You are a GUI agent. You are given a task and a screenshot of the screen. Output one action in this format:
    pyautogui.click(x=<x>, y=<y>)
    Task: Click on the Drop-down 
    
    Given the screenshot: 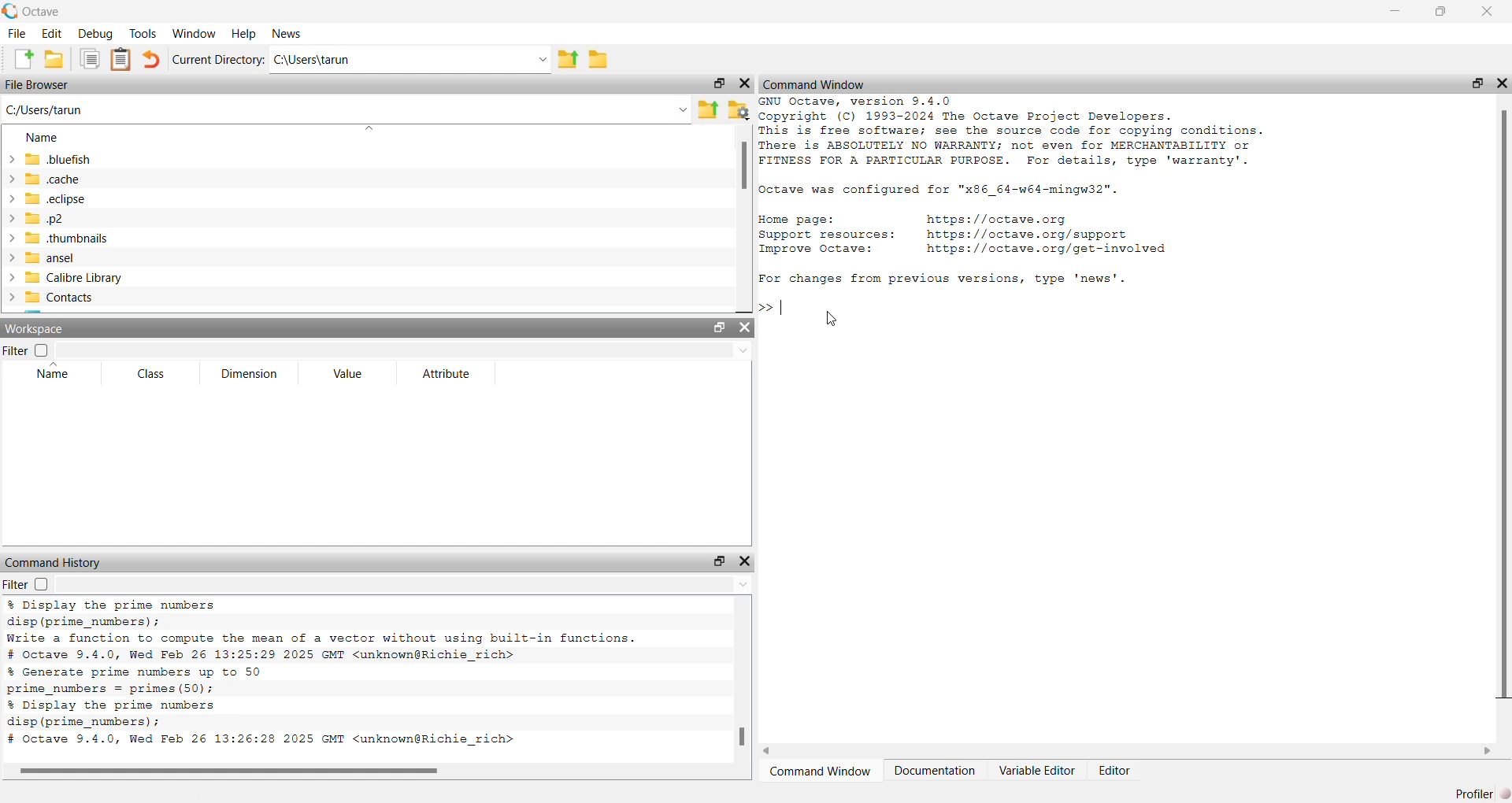 What is the action you would take?
    pyautogui.click(x=743, y=350)
    